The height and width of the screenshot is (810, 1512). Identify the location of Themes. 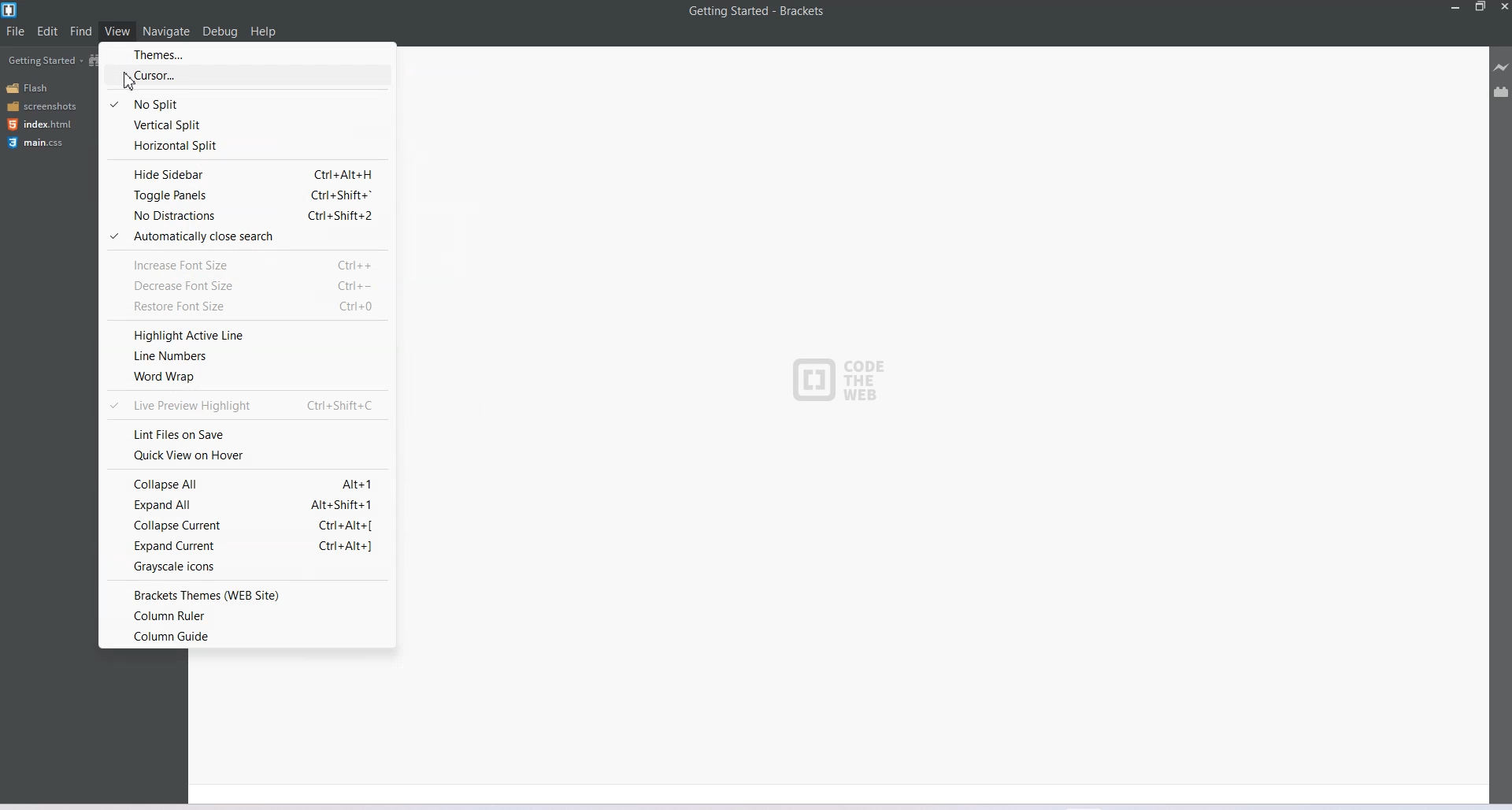
(248, 55).